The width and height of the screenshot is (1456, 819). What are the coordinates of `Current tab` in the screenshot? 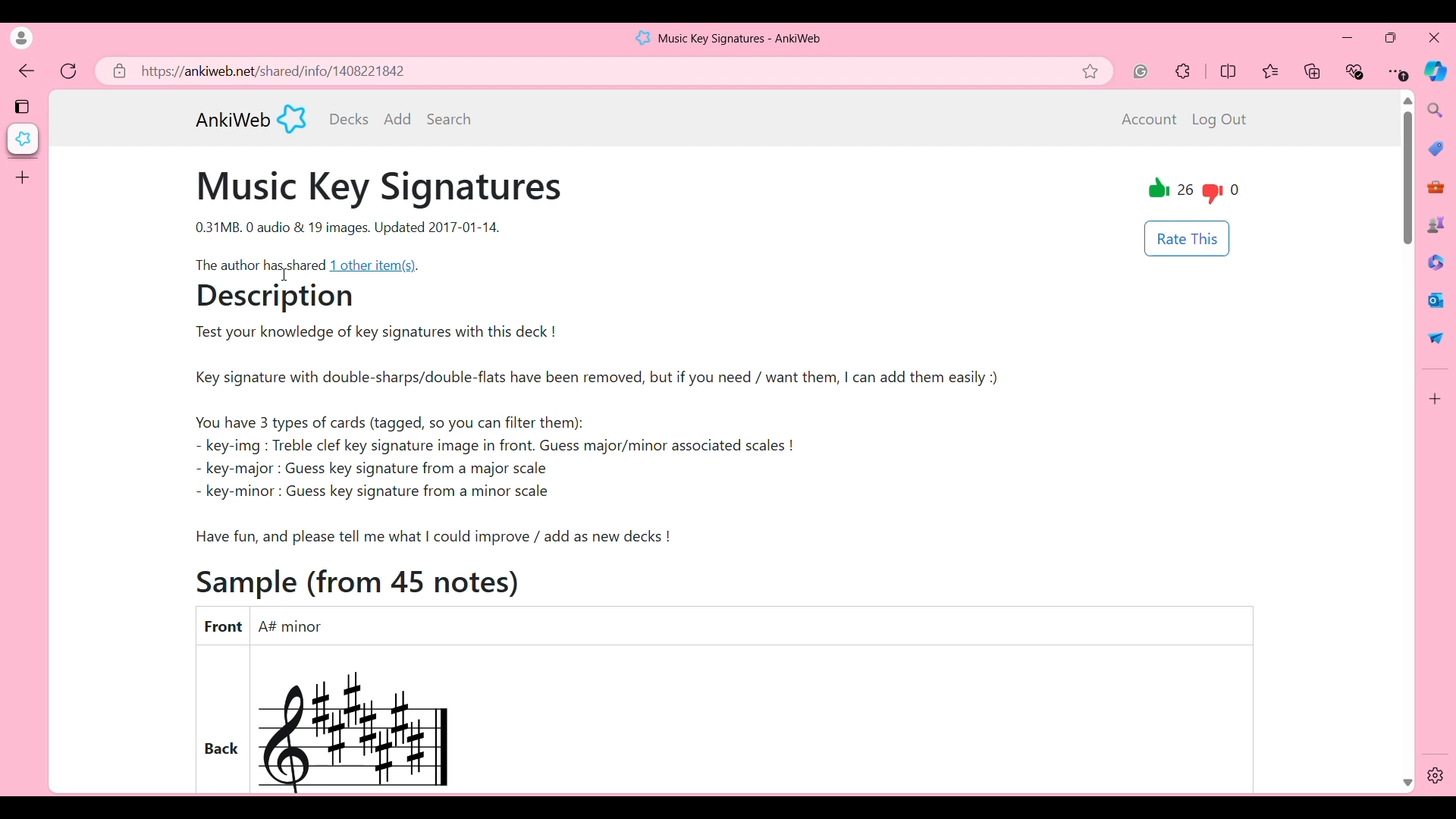 It's located at (24, 139).